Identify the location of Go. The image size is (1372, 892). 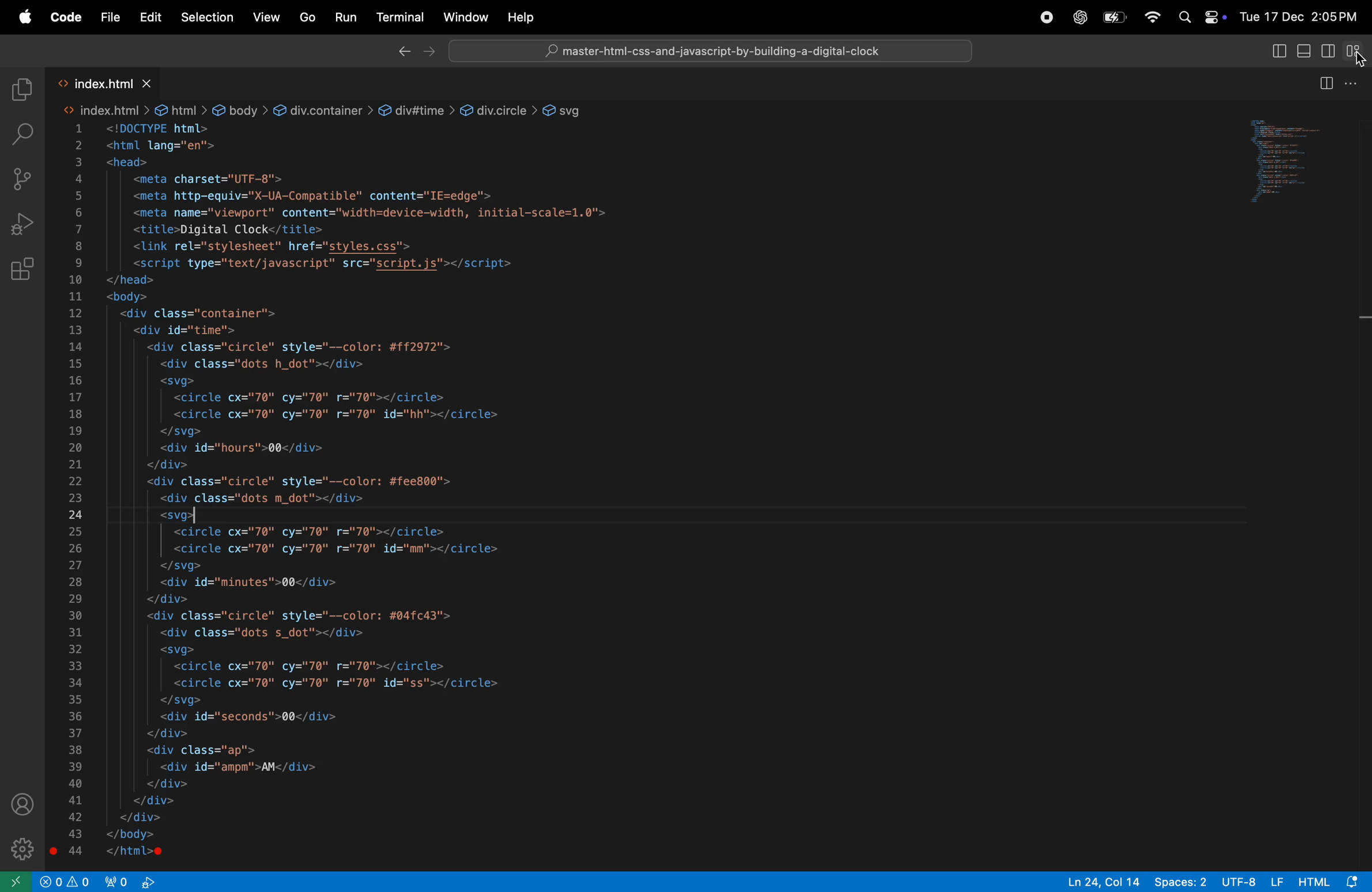
(309, 18).